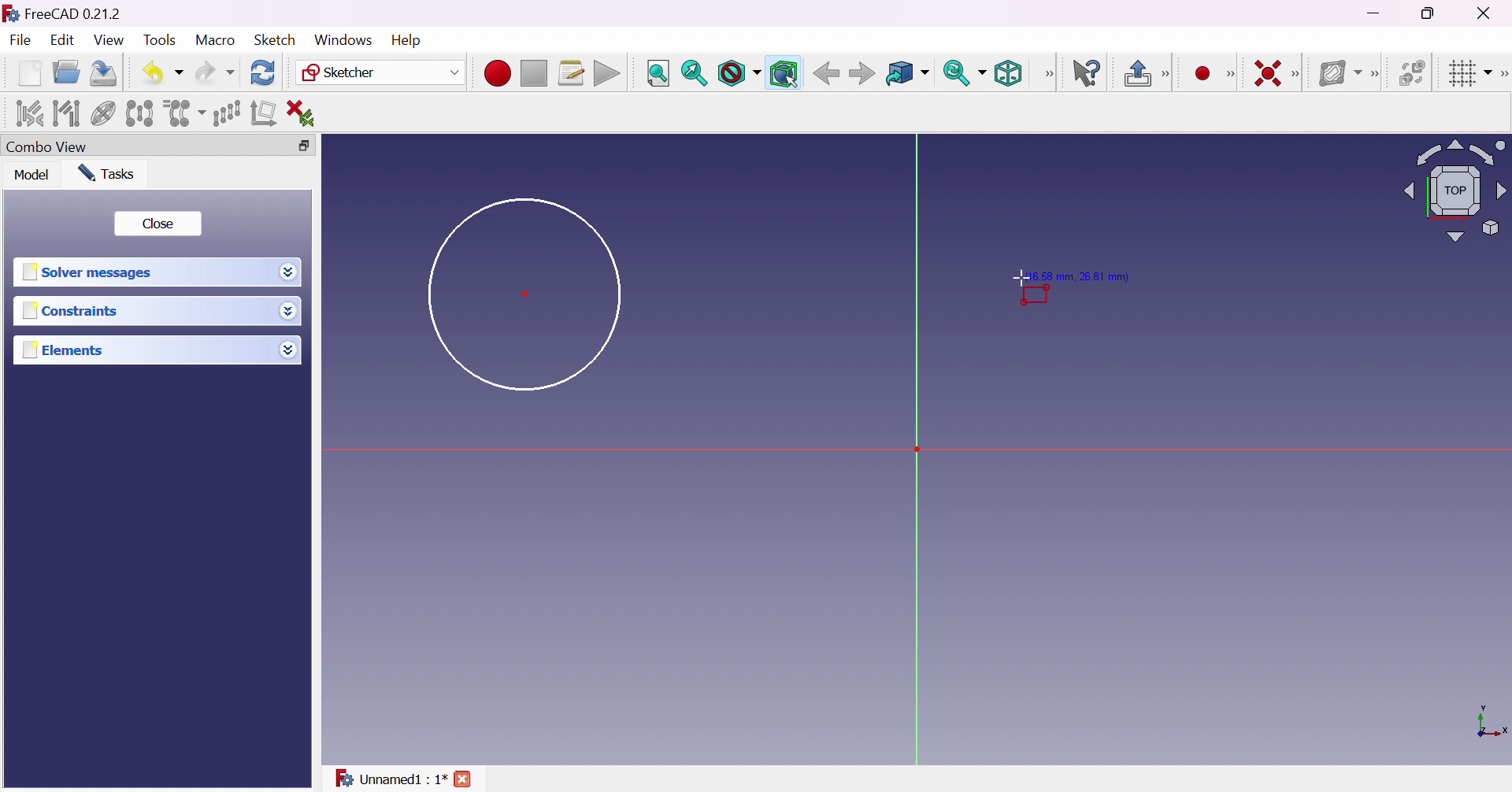 The image size is (1512, 792). I want to click on Leave sketch, so click(1147, 73).